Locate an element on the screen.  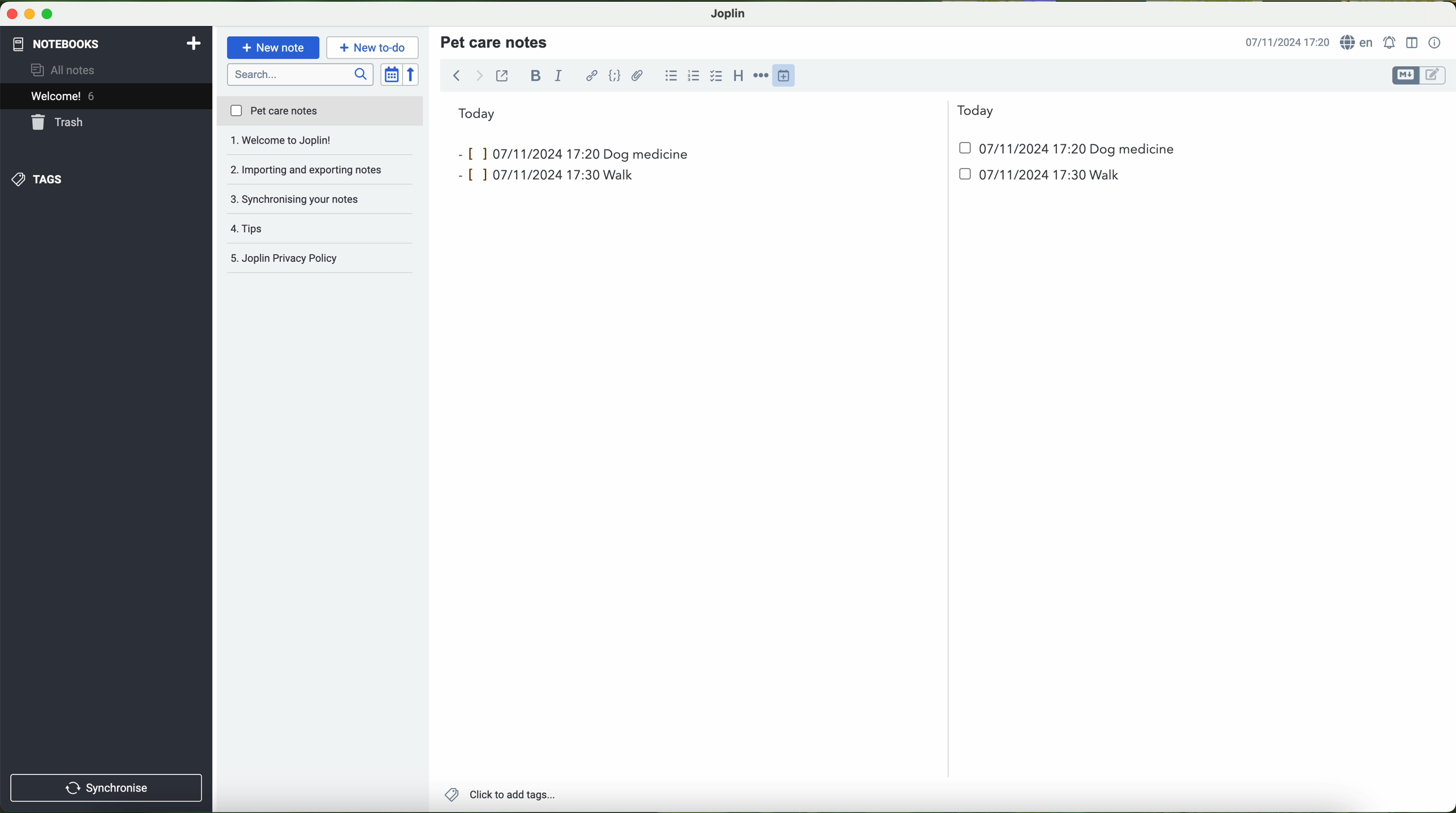
cursor on new to-do button  is located at coordinates (374, 48).